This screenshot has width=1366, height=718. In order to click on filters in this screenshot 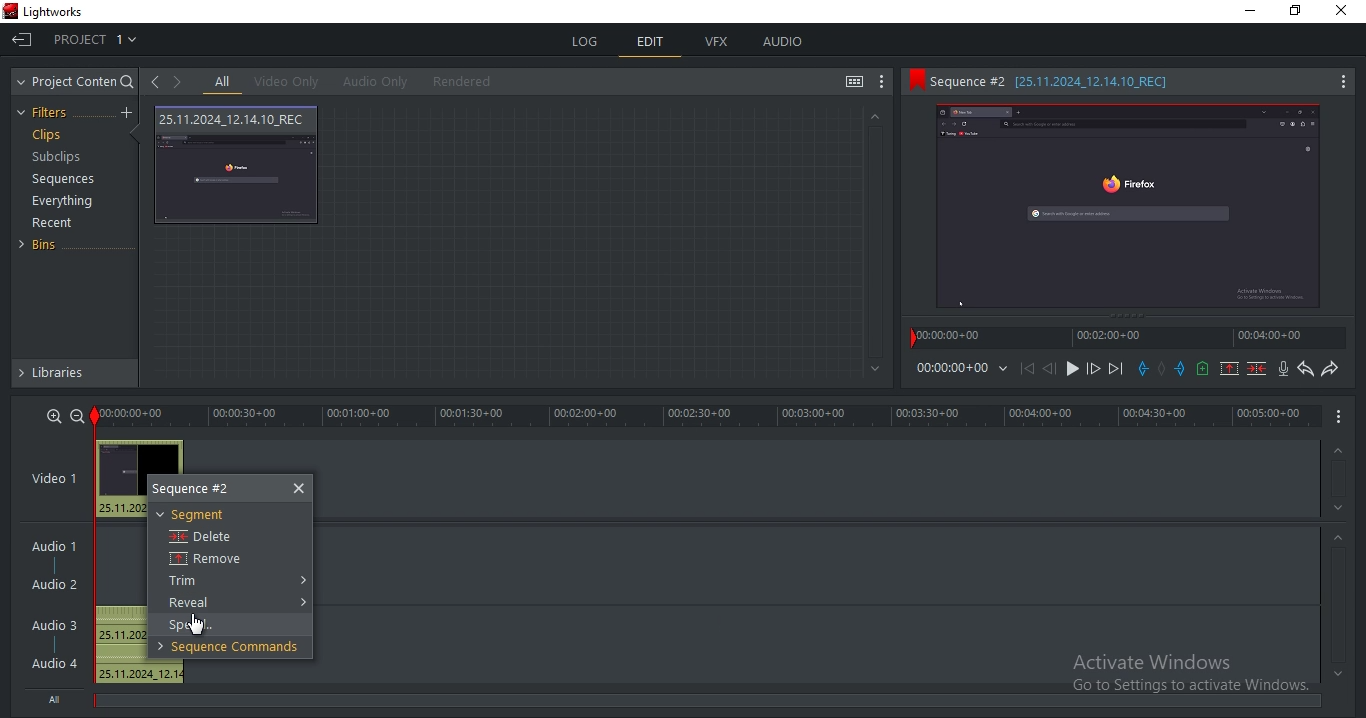, I will do `click(45, 113)`.